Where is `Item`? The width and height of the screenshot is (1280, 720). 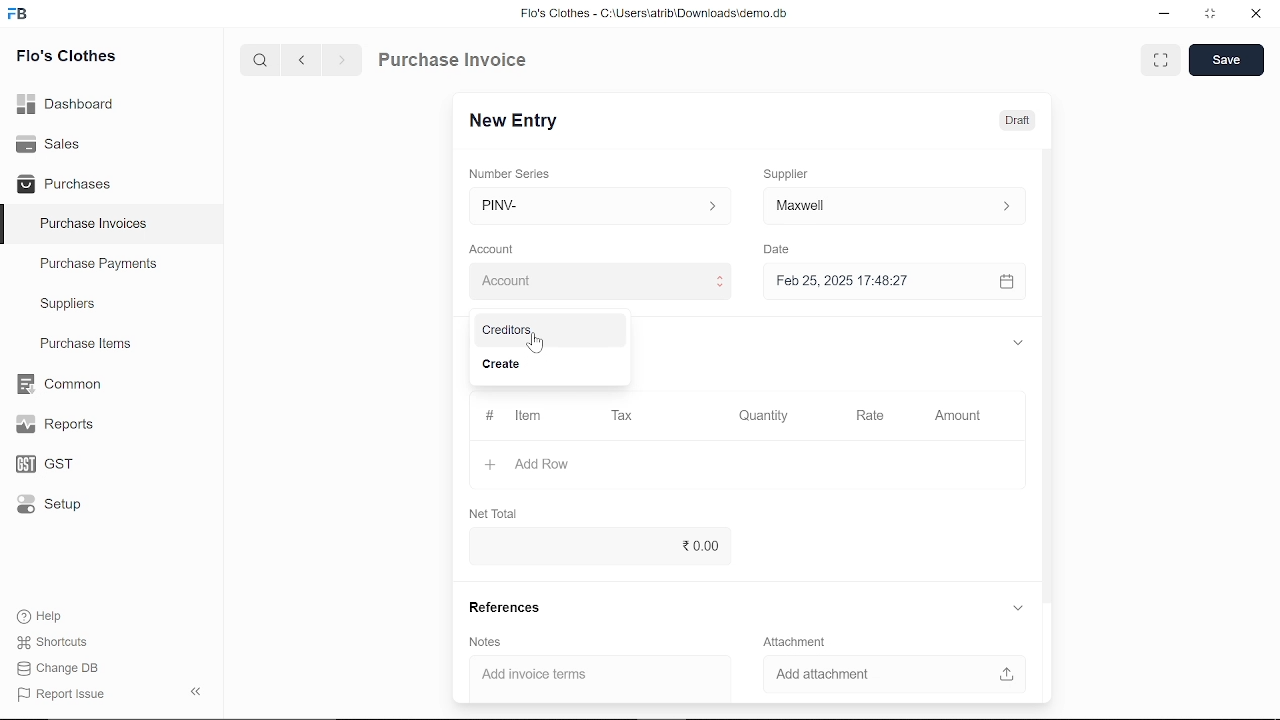 Item is located at coordinates (514, 416).